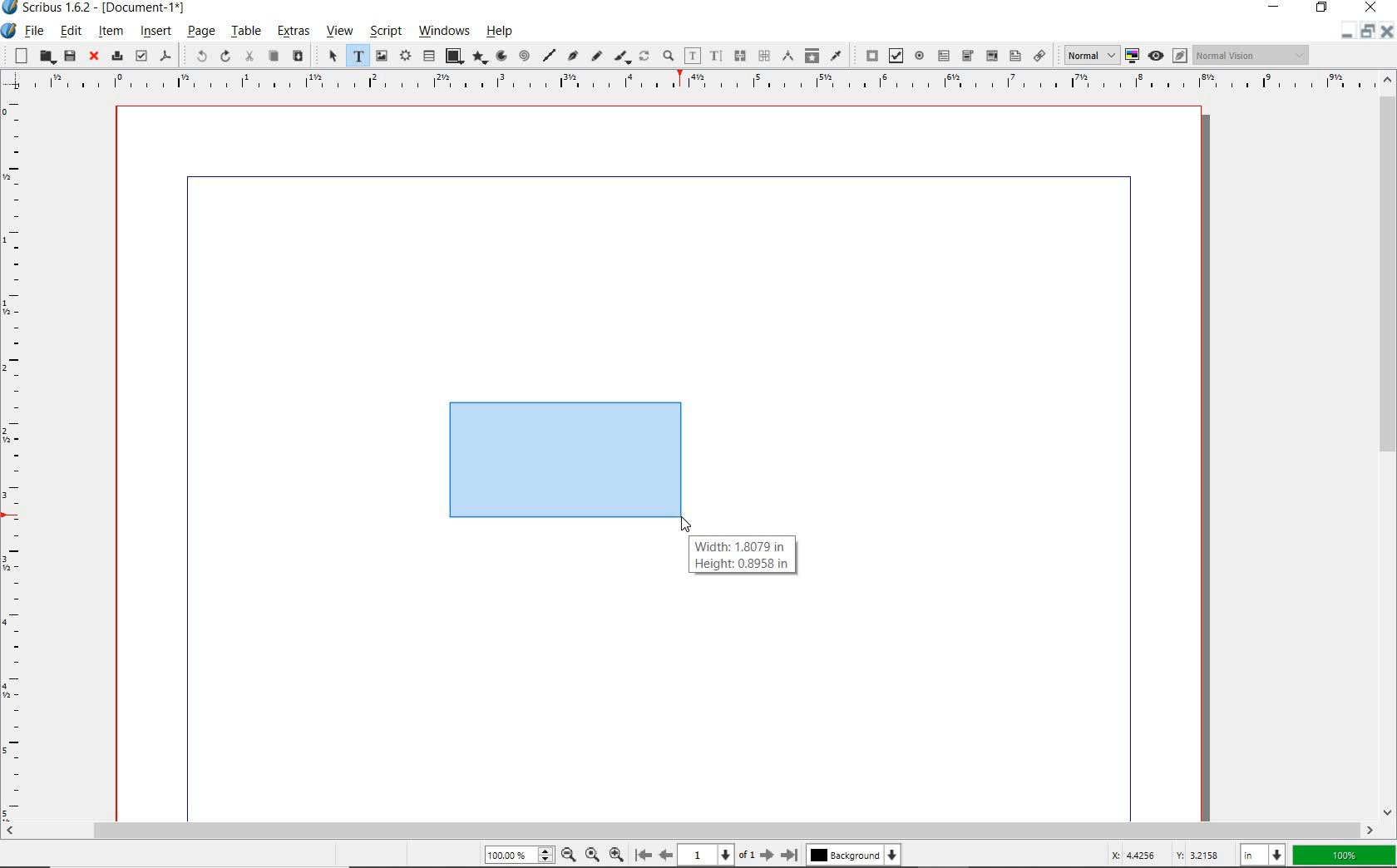 This screenshot has height=868, width=1397. I want to click on zoom factor, so click(1345, 855).